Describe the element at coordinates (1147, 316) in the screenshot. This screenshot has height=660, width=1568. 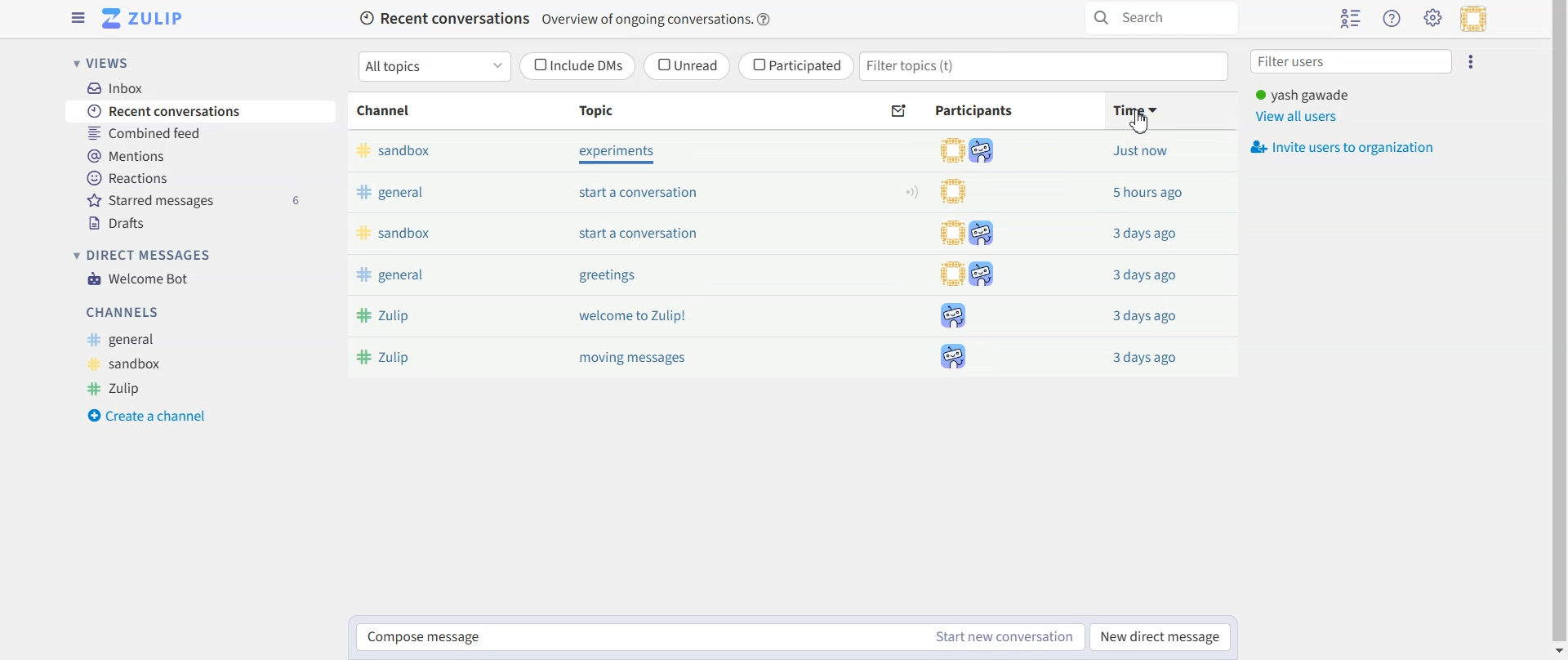
I see `5 hours ago` at that location.